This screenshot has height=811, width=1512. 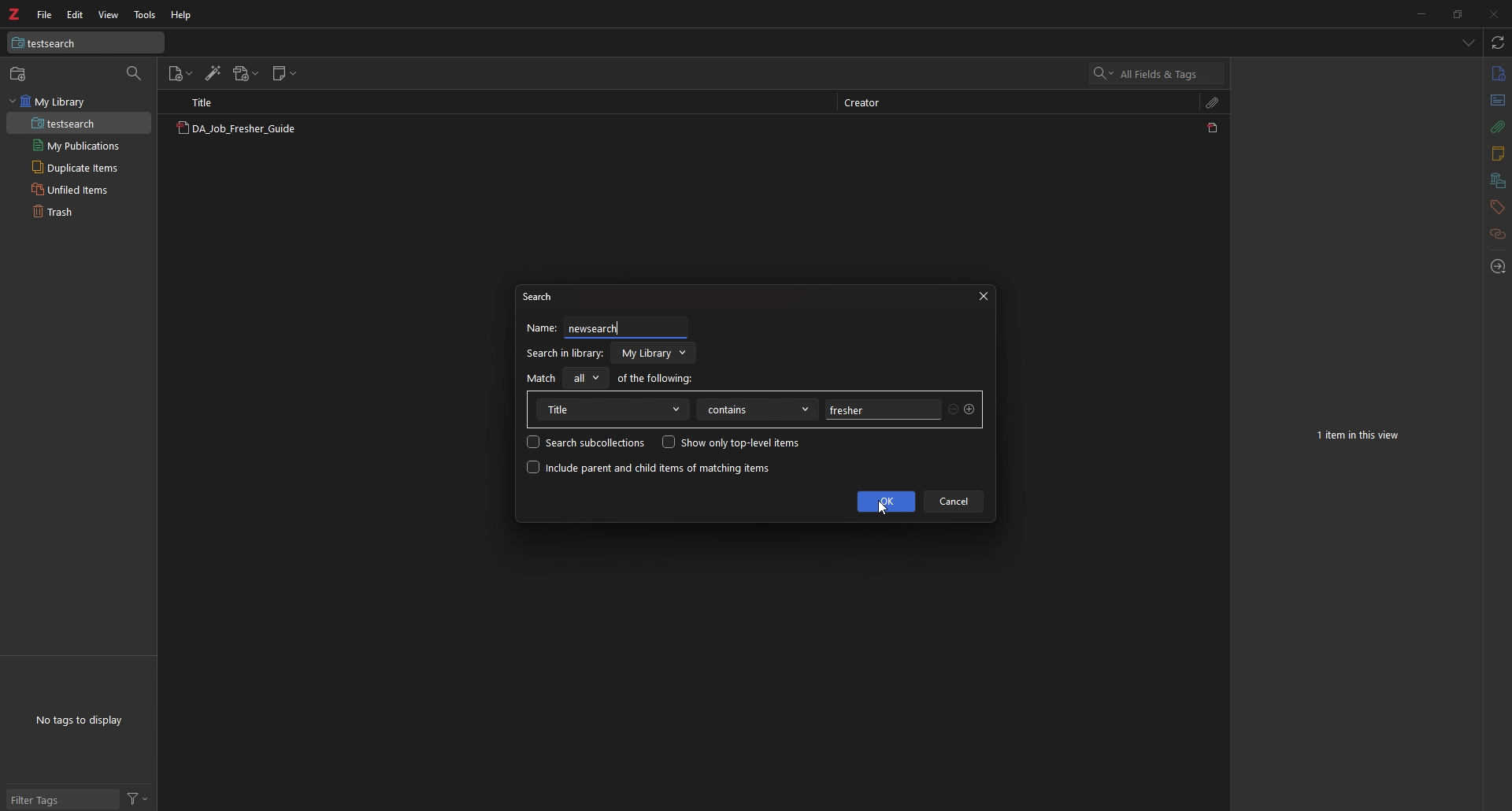 I want to click on resize, so click(x=1456, y=13).